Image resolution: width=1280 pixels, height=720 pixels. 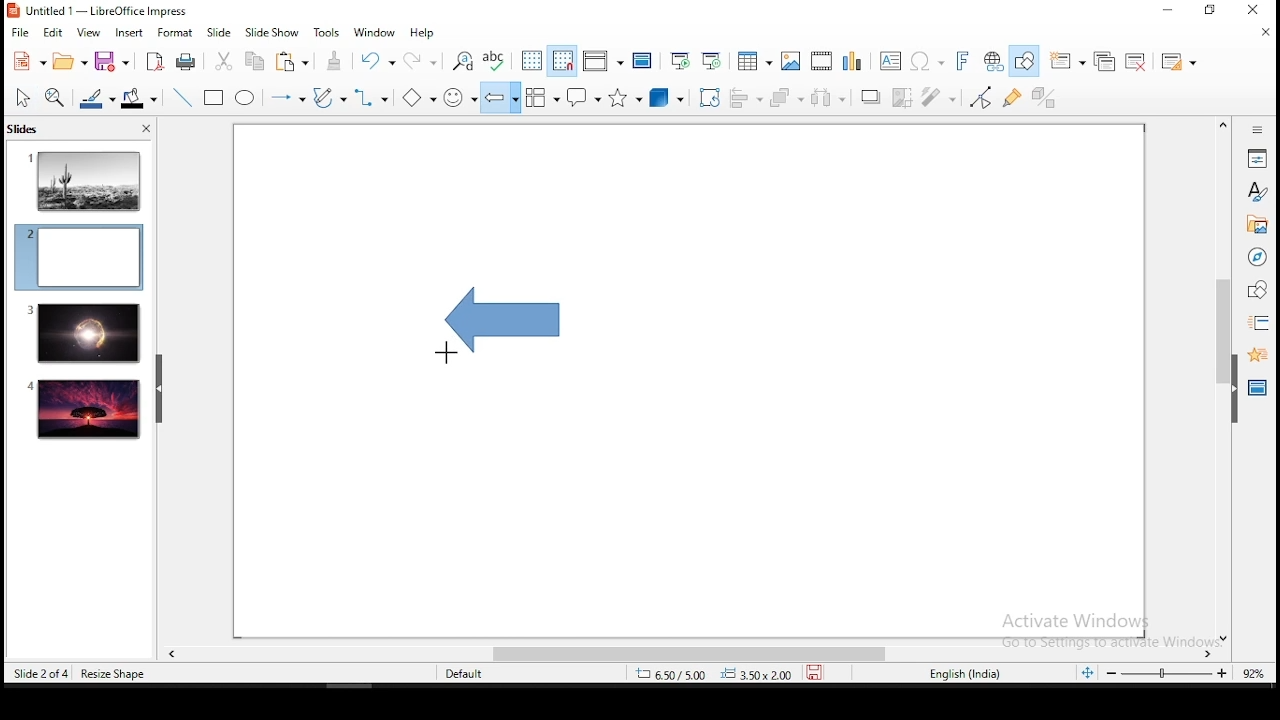 I want to click on zoom tool, so click(x=55, y=99).